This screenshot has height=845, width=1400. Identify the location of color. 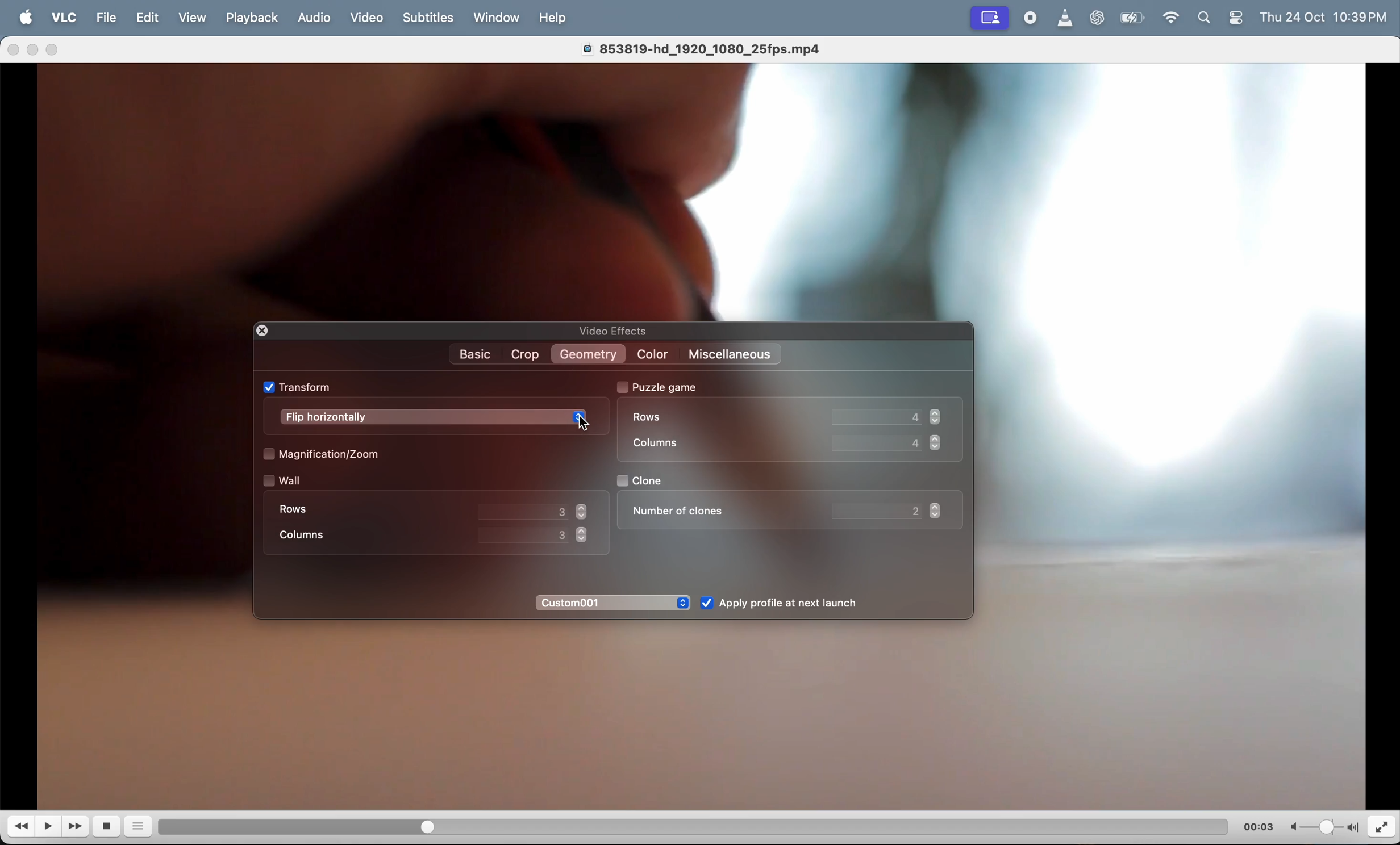
(654, 355).